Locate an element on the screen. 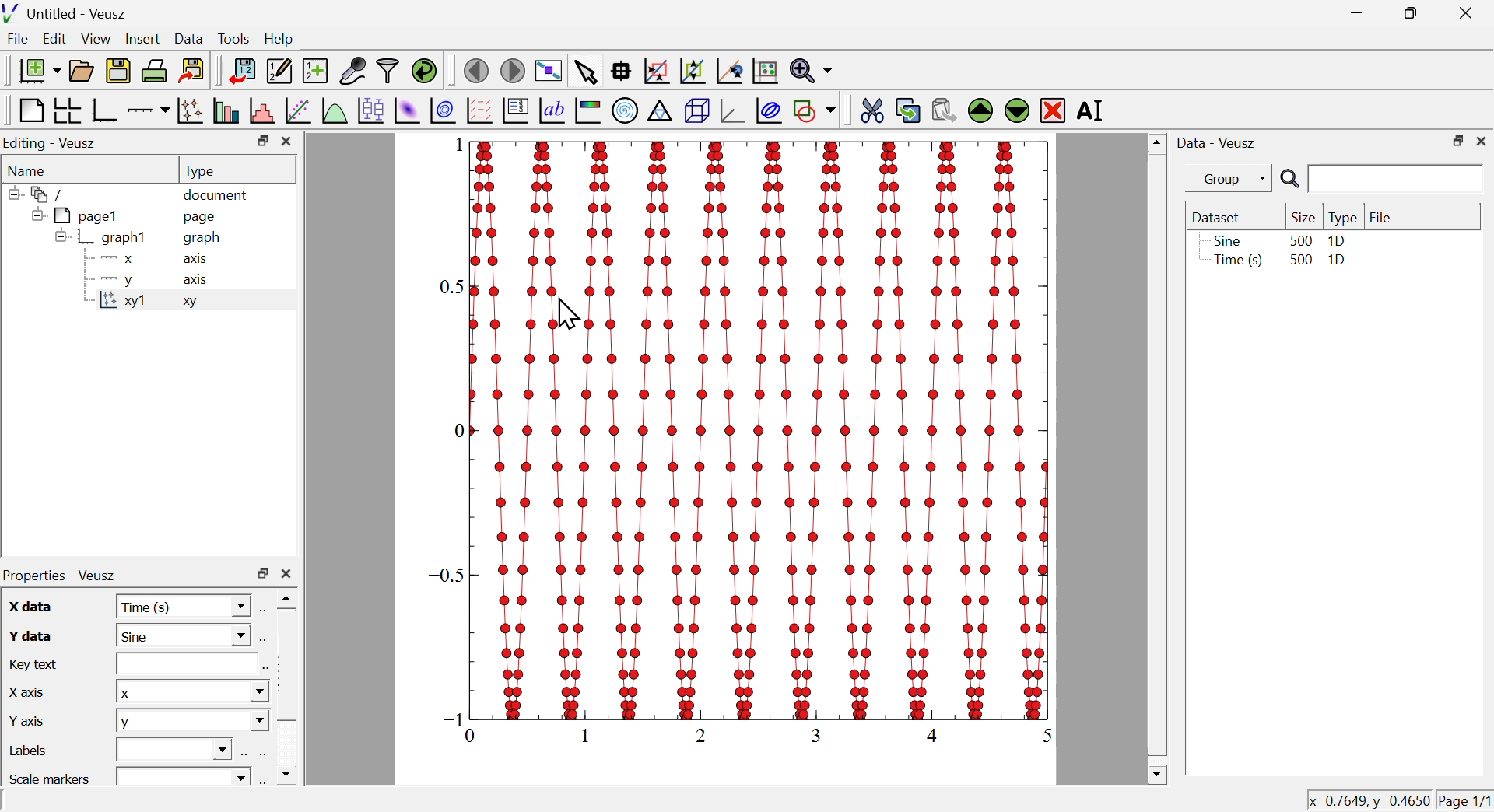  print the document is located at coordinates (156, 71).